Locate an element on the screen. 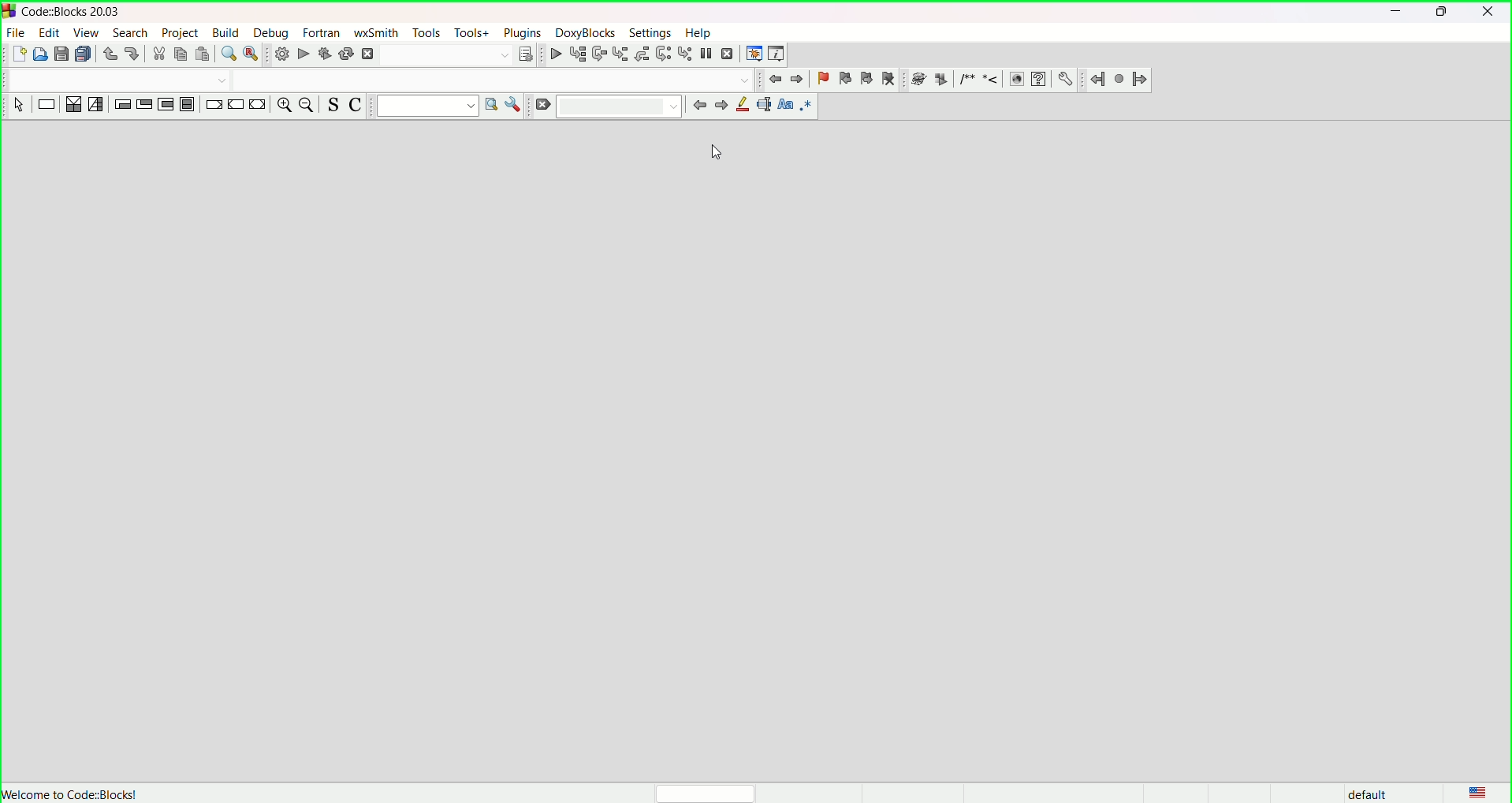  HTML is located at coordinates (1014, 80).